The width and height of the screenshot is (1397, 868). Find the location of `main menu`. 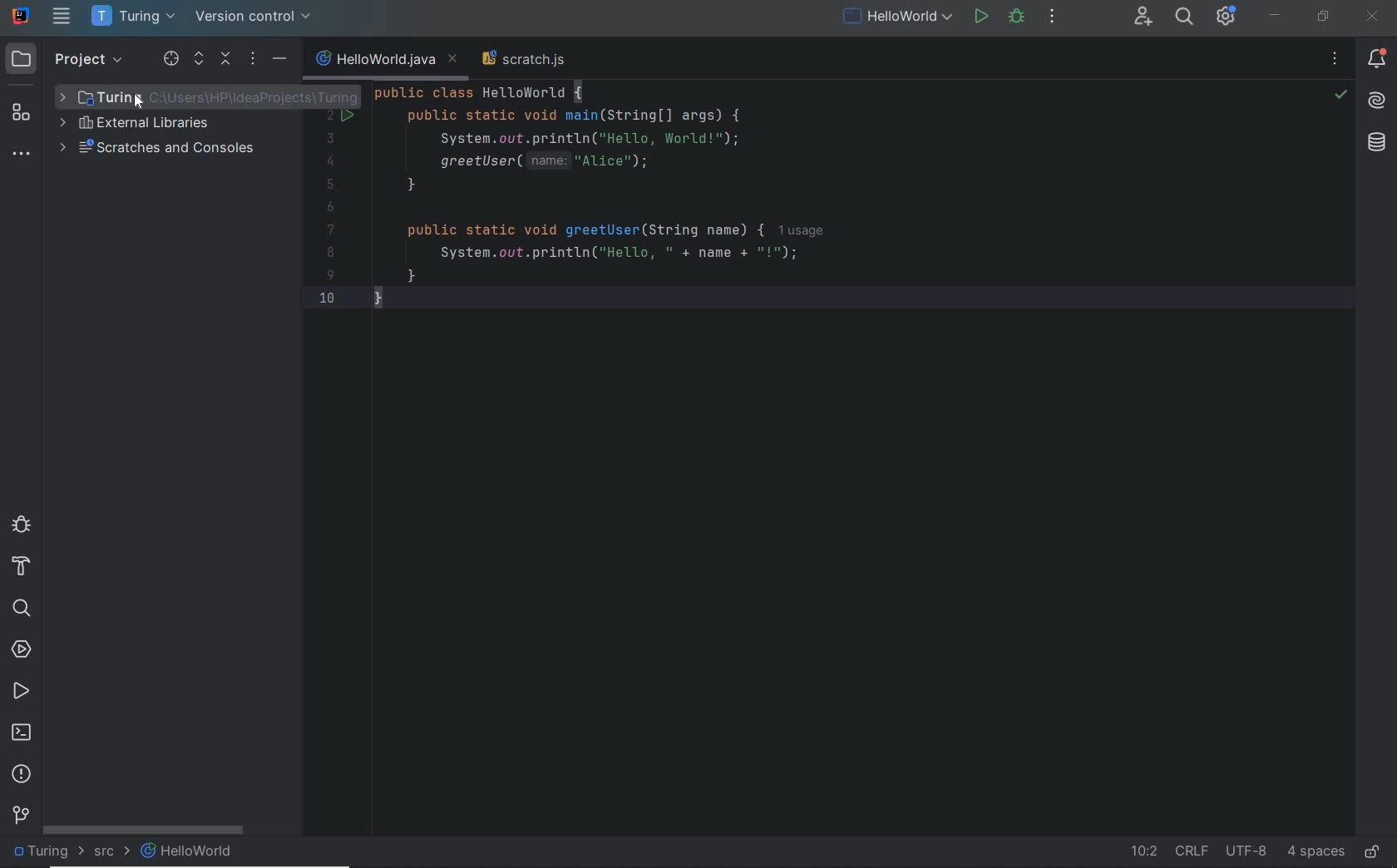

main menu is located at coordinates (62, 16).